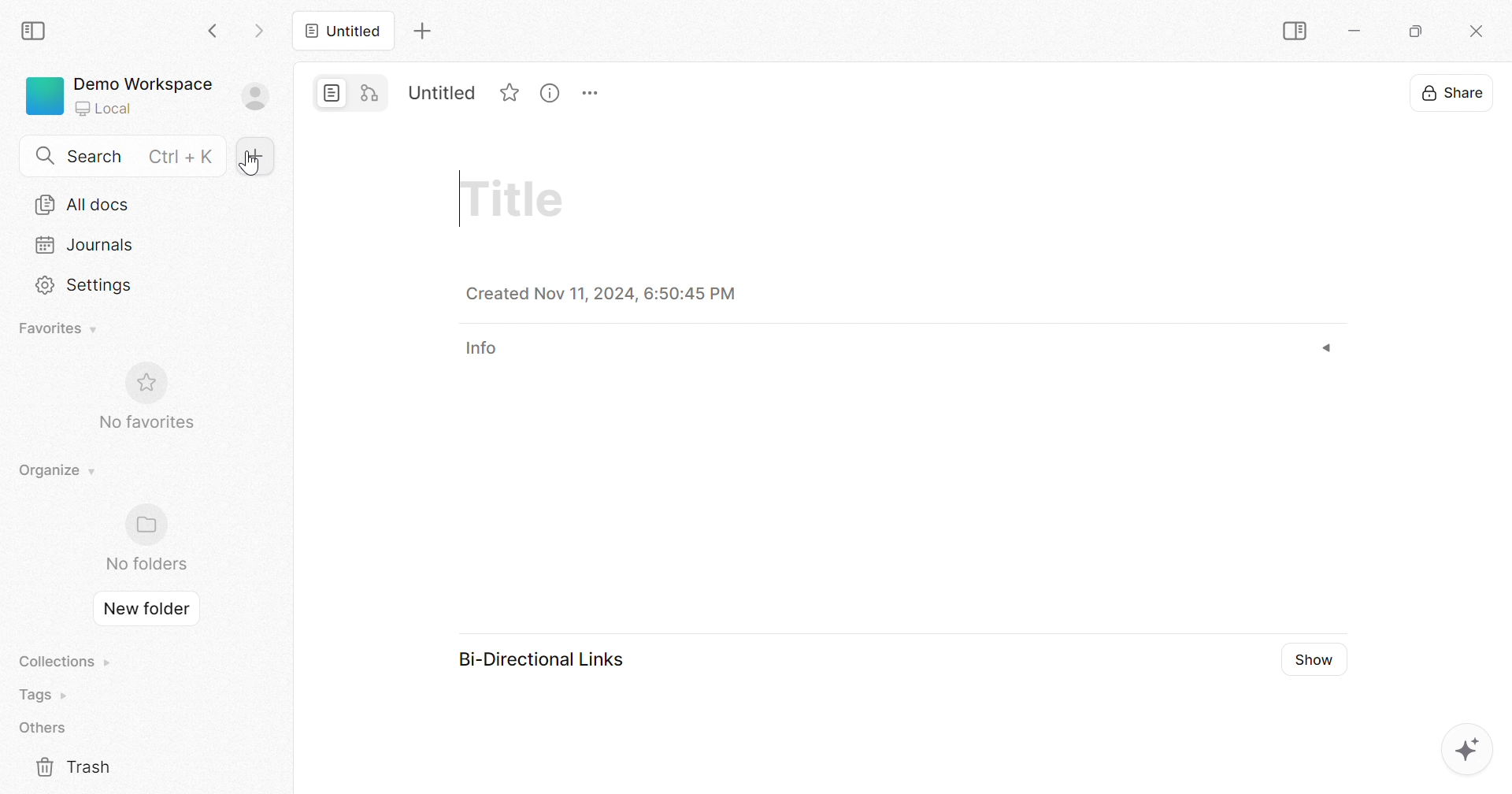 The width and height of the screenshot is (1512, 794). Describe the element at coordinates (57, 327) in the screenshot. I see `Fovorites` at that location.